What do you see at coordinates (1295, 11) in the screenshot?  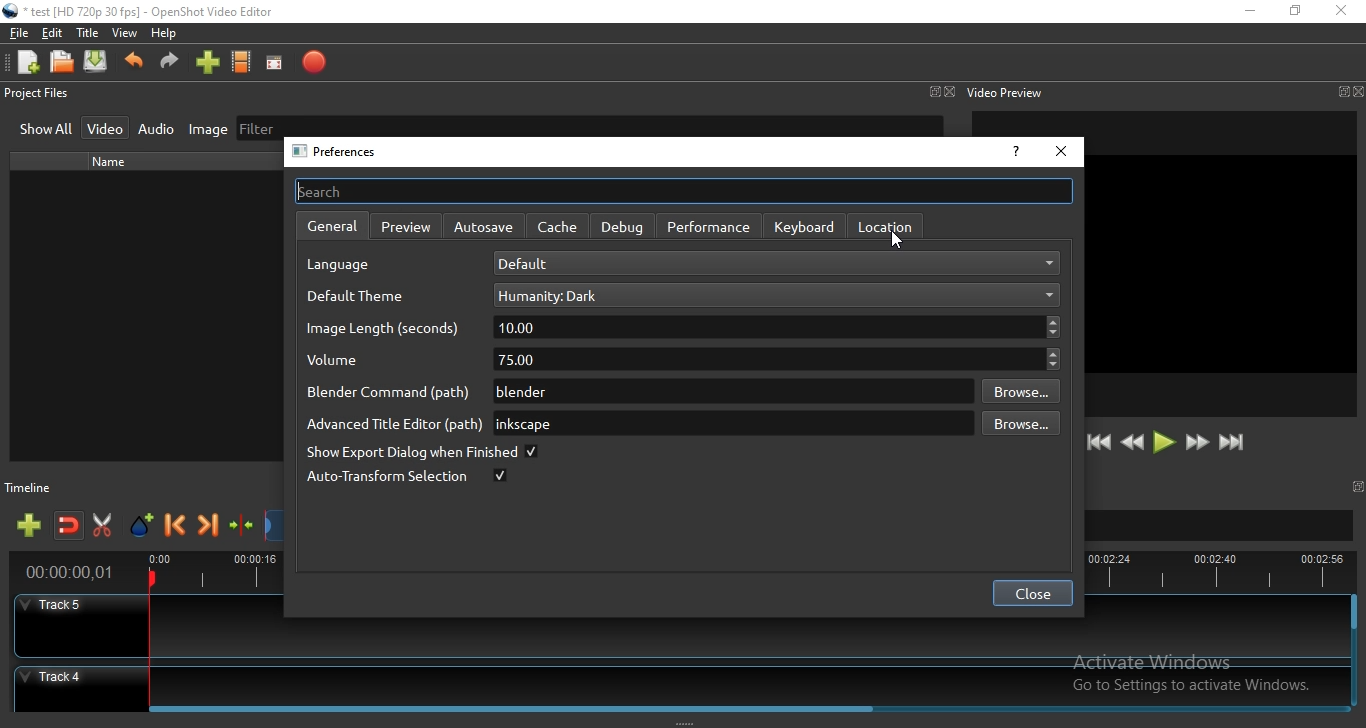 I see `Restore` at bounding box center [1295, 11].